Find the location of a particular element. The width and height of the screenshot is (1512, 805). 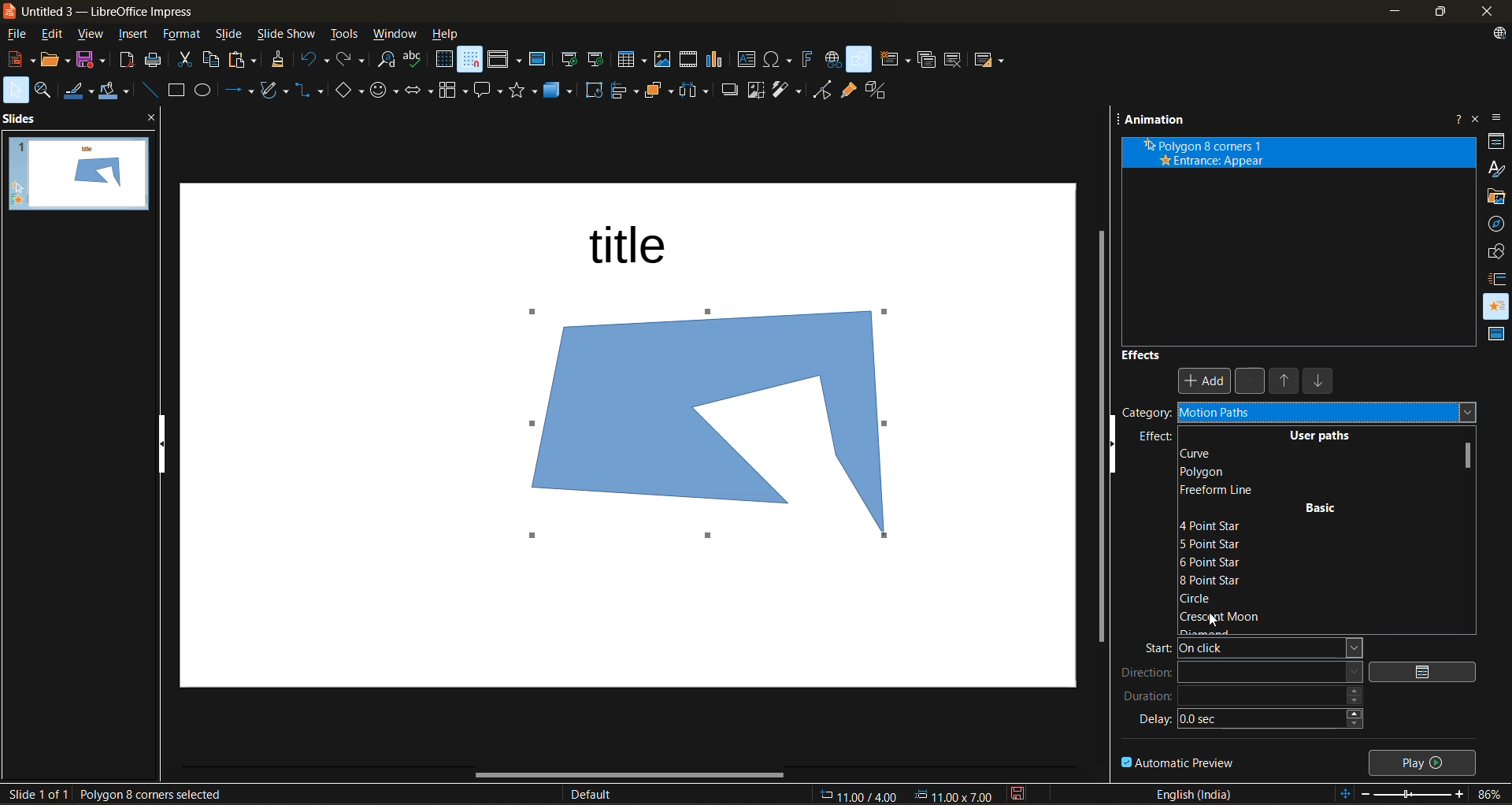

circle is located at coordinates (1210, 598).